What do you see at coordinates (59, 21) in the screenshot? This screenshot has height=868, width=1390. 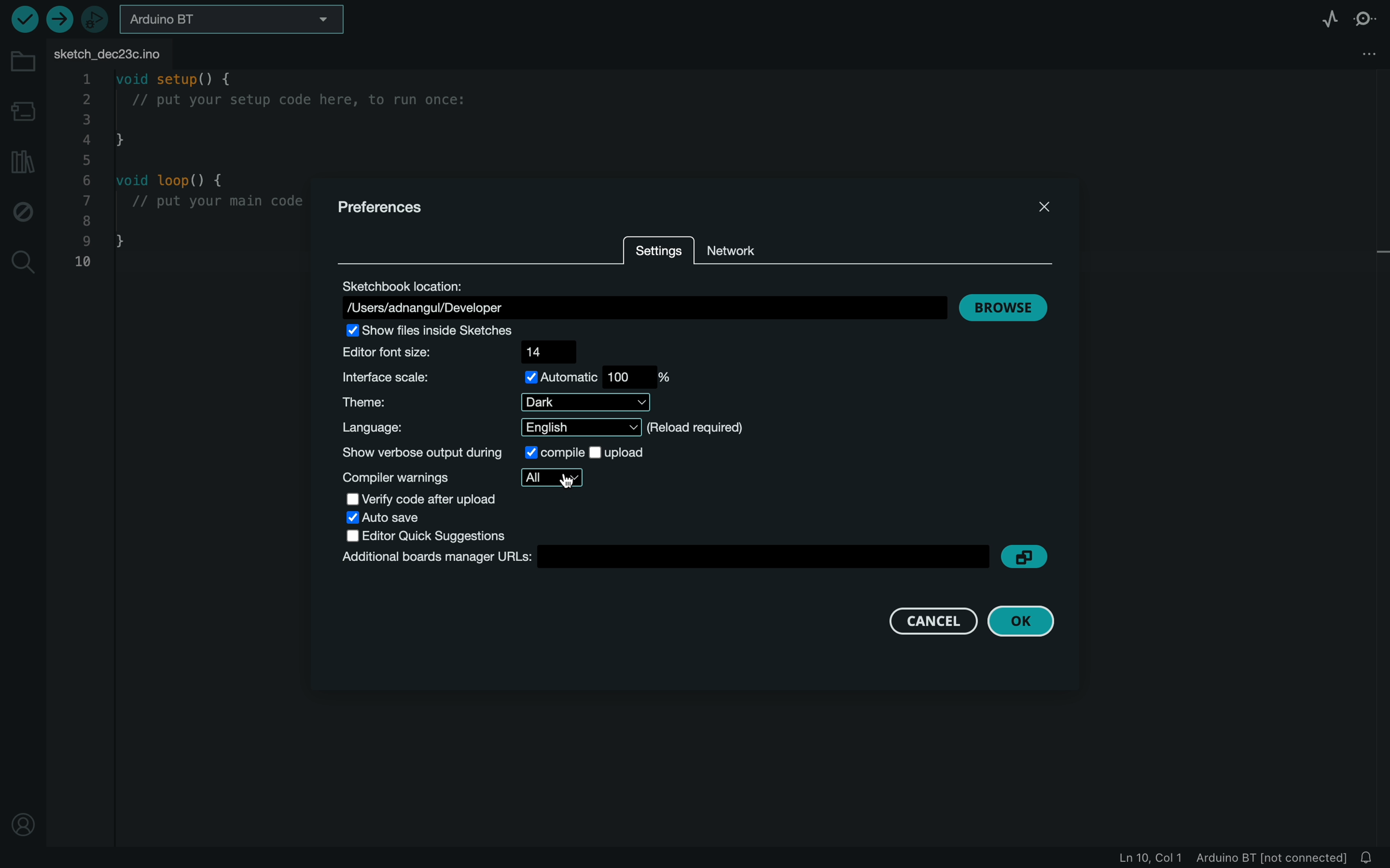 I see `upload` at bounding box center [59, 21].